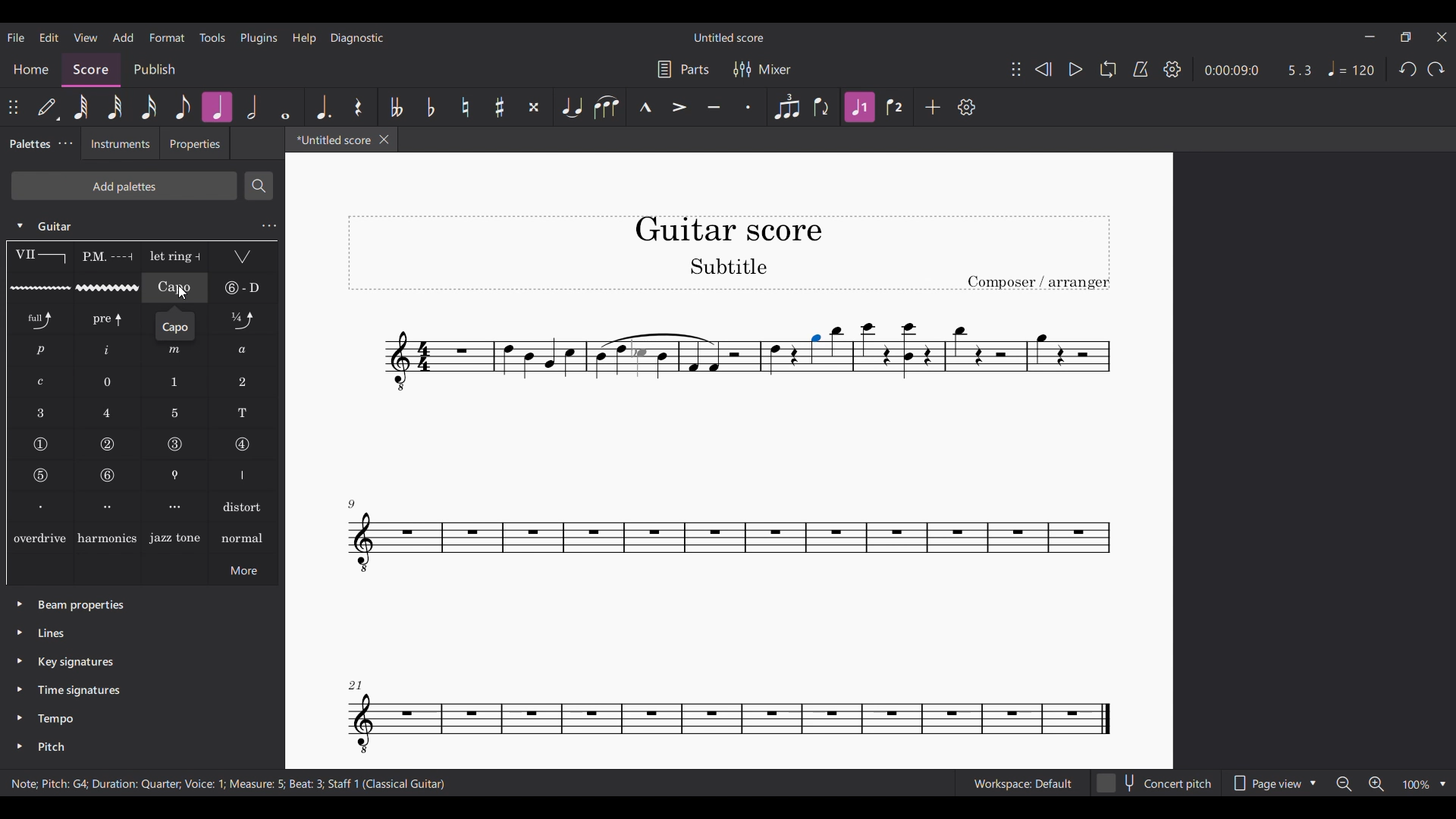 Image resolution: width=1456 pixels, height=819 pixels. Describe the element at coordinates (896, 107) in the screenshot. I see `Voice 2` at that location.